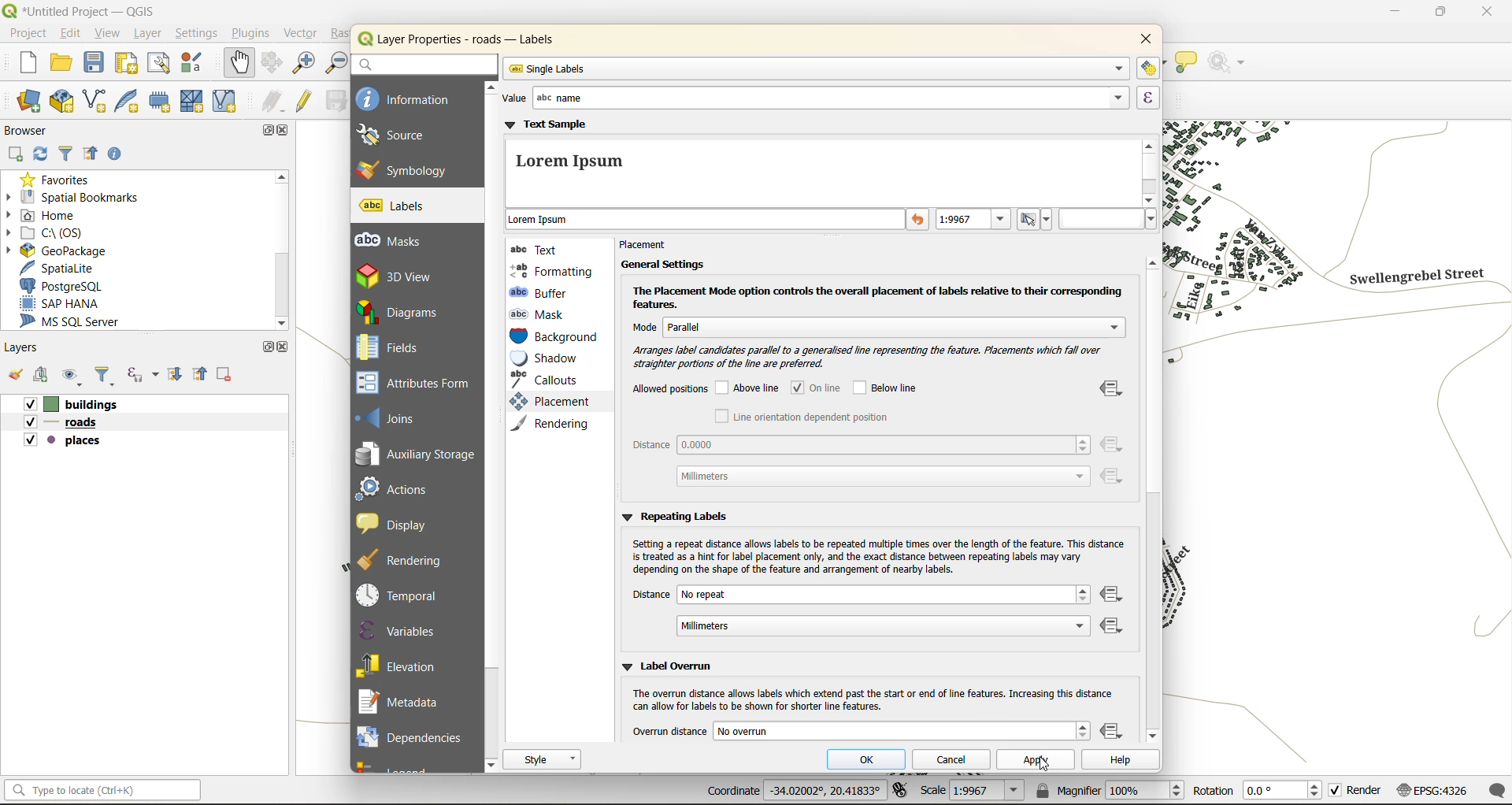  What do you see at coordinates (406, 98) in the screenshot?
I see `information` at bounding box center [406, 98].